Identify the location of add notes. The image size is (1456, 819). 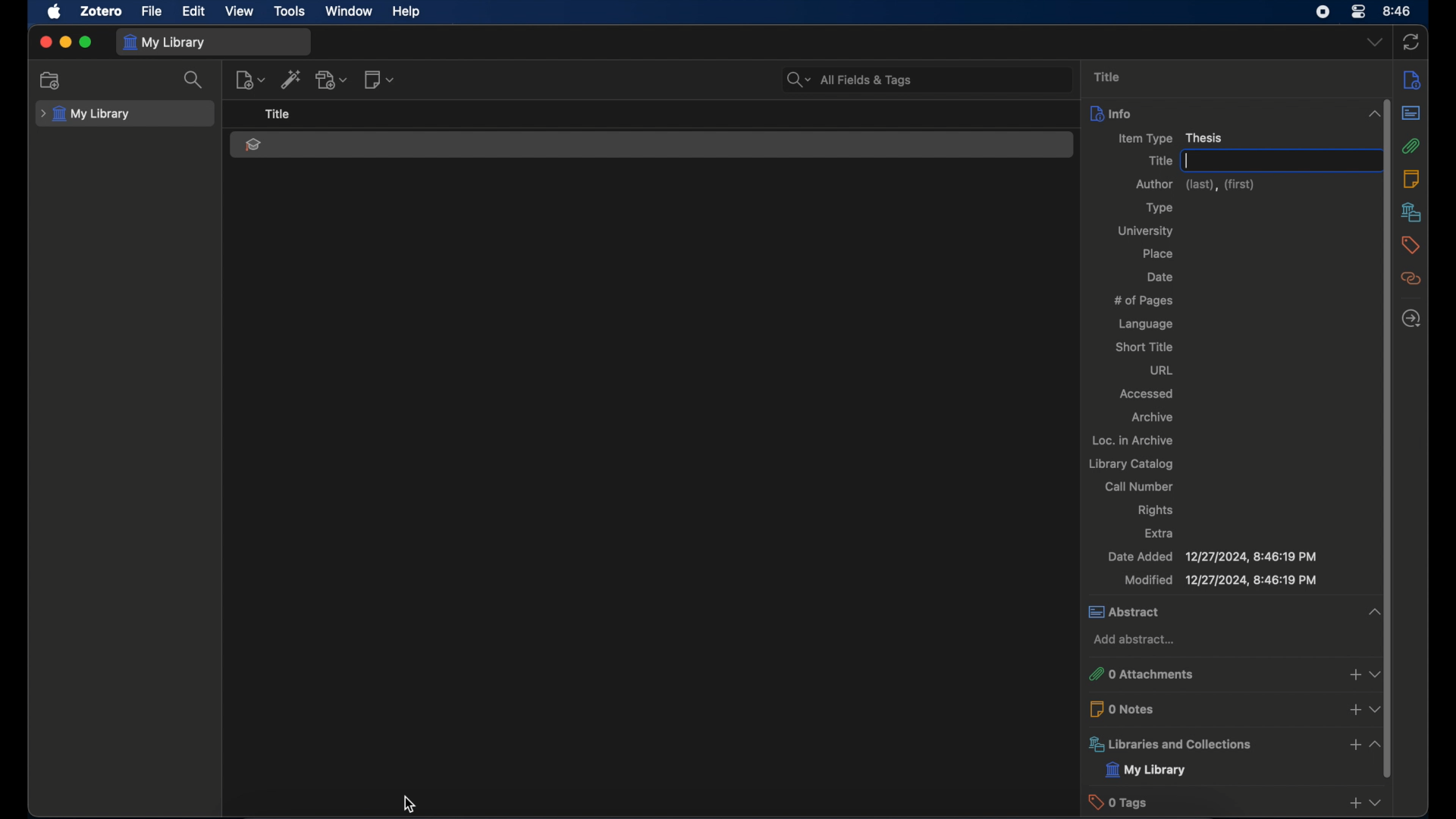
(1351, 710).